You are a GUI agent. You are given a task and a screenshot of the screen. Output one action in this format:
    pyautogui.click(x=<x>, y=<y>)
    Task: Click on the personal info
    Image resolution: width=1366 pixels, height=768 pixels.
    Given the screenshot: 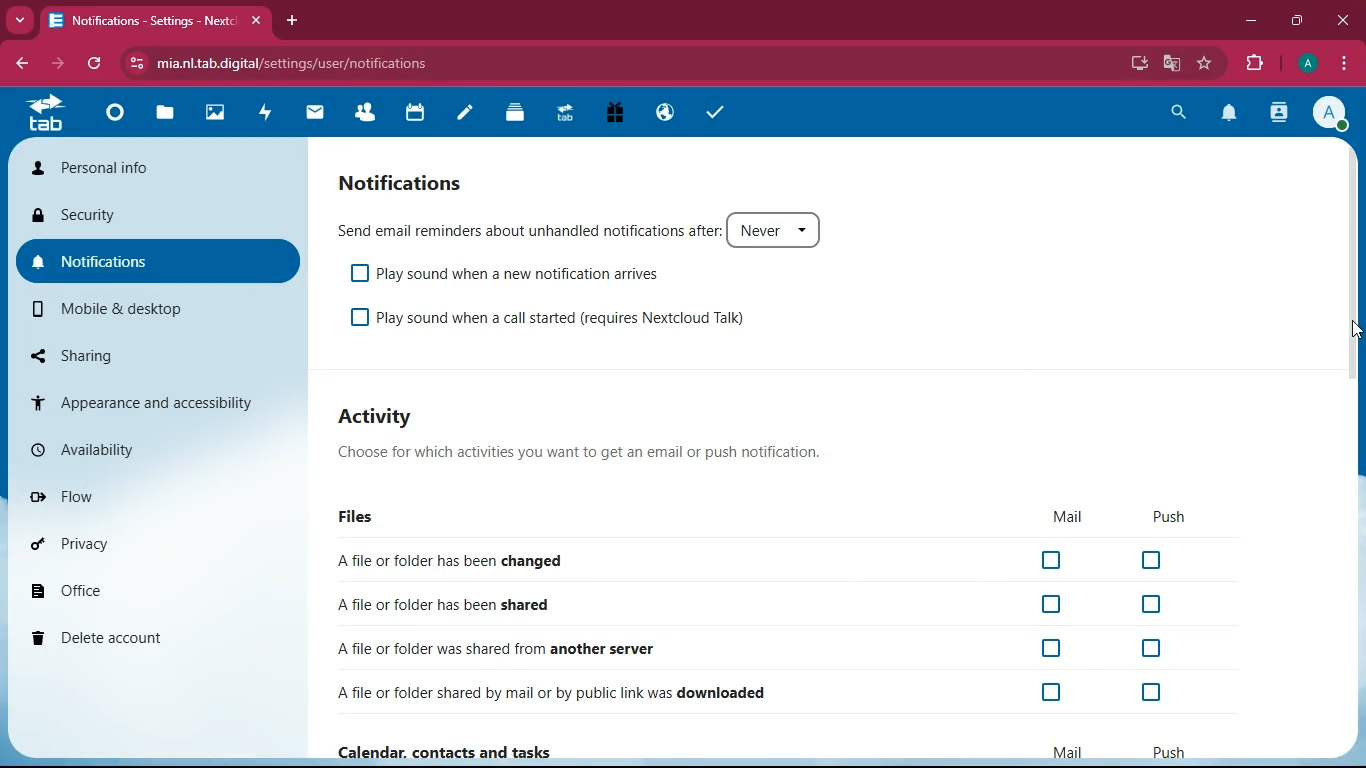 What is the action you would take?
    pyautogui.click(x=153, y=170)
    